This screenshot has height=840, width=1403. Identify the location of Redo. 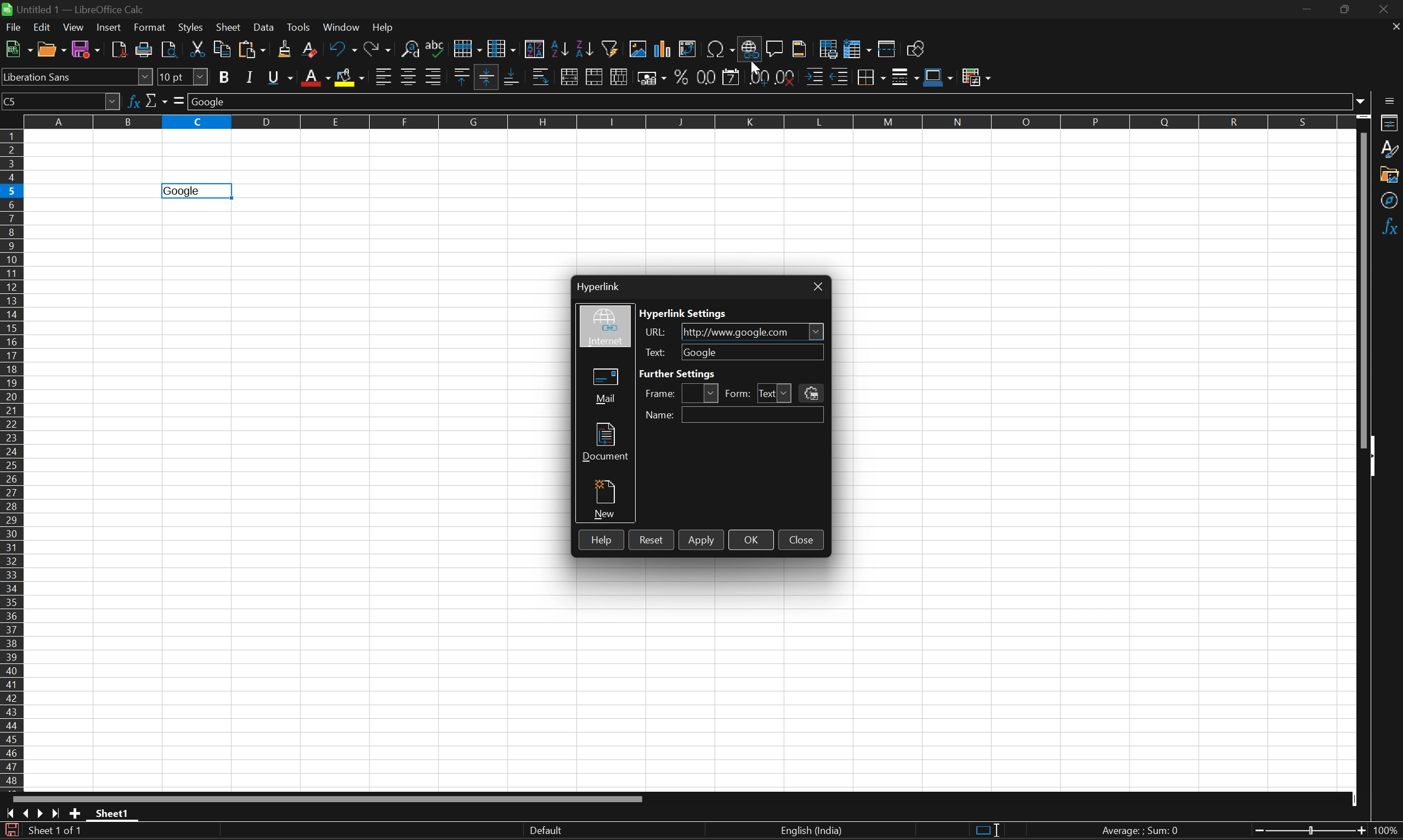
(377, 49).